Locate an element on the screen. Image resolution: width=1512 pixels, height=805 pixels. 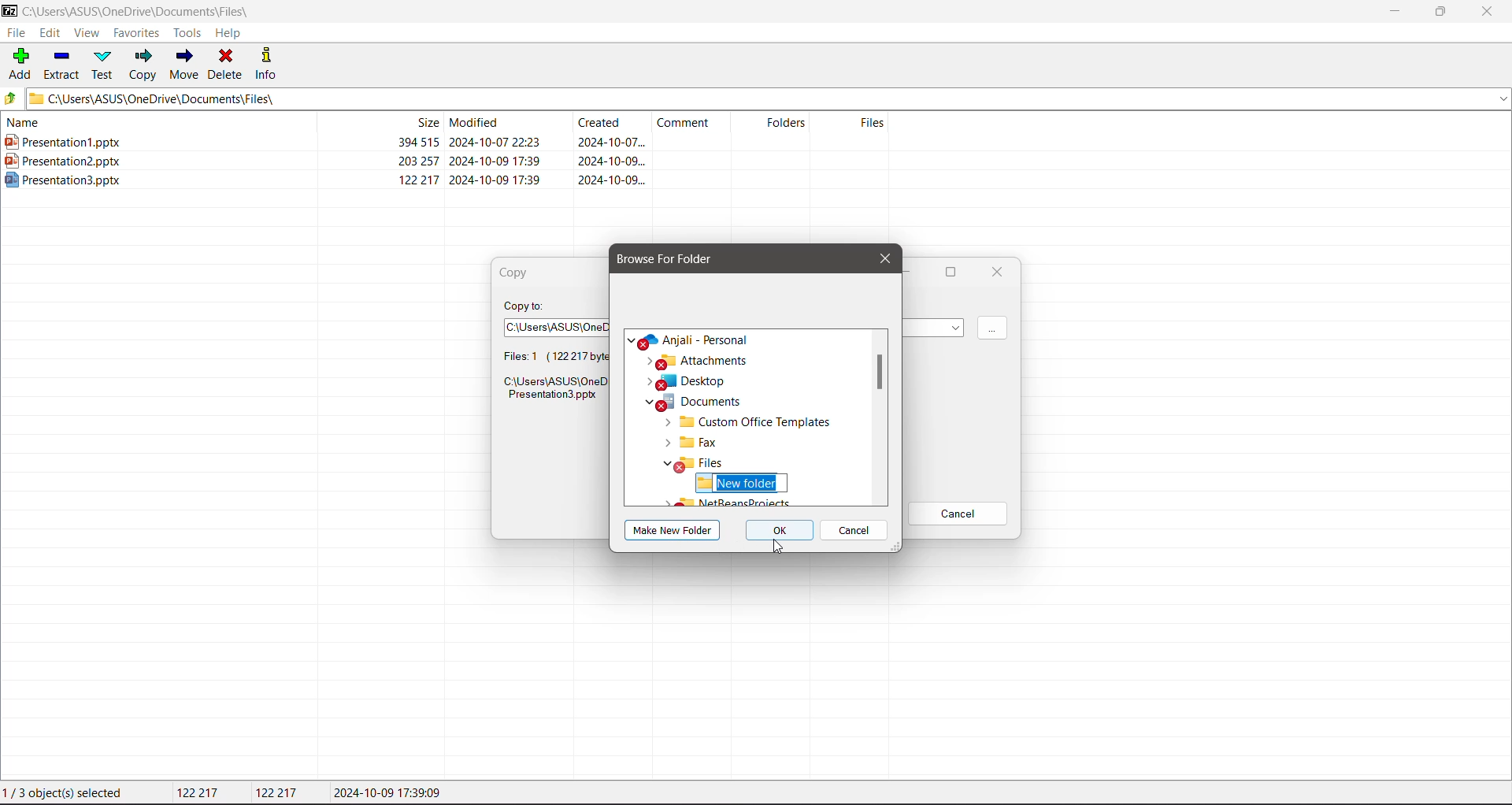
OK is located at coordinates (781, 532).